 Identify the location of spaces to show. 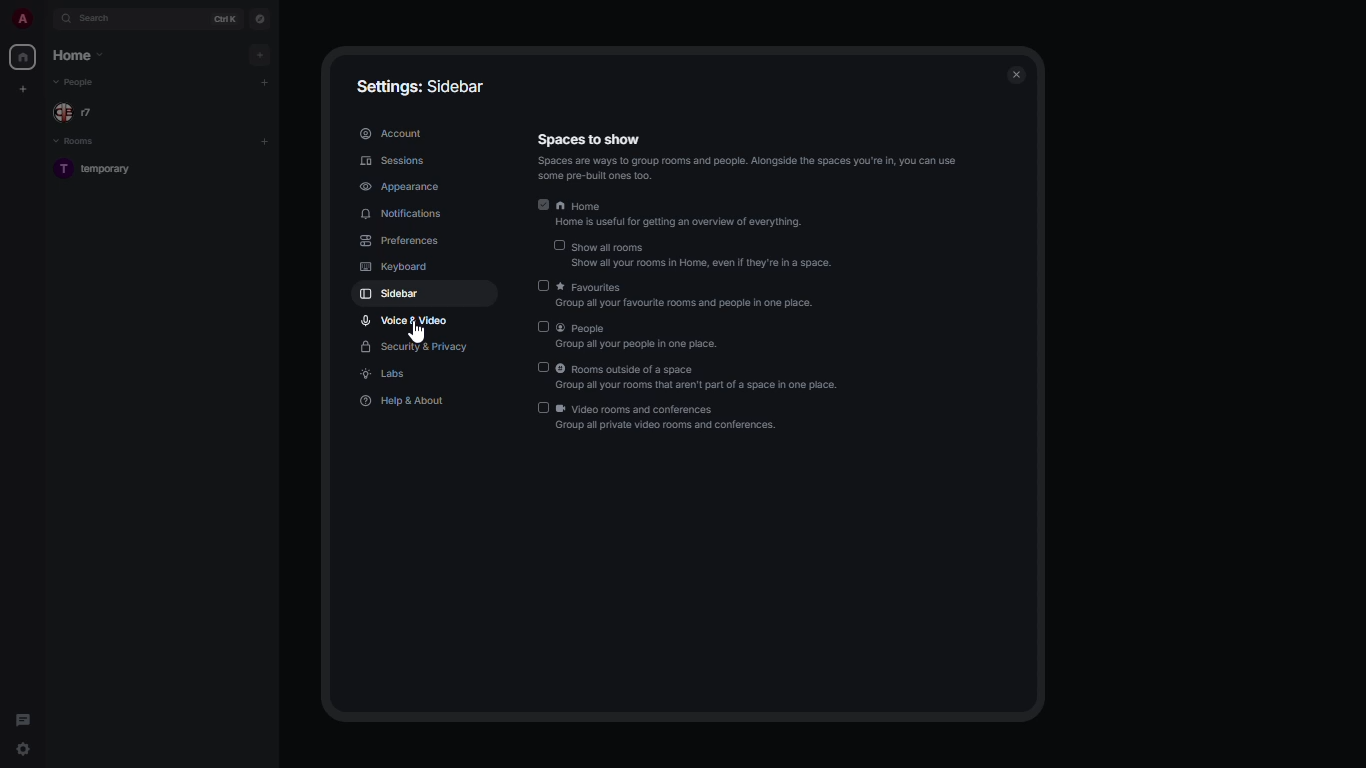
(749, 157).